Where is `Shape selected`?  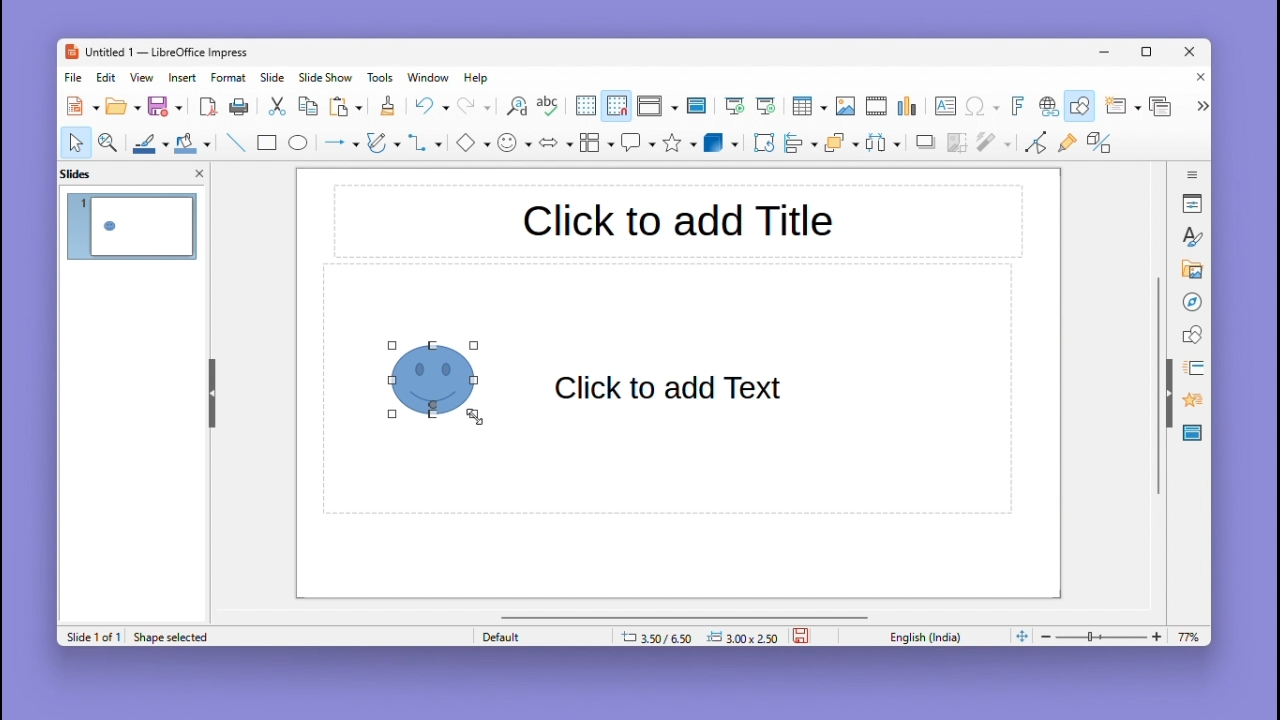 Shape selected is located at coordinates (175, 636).